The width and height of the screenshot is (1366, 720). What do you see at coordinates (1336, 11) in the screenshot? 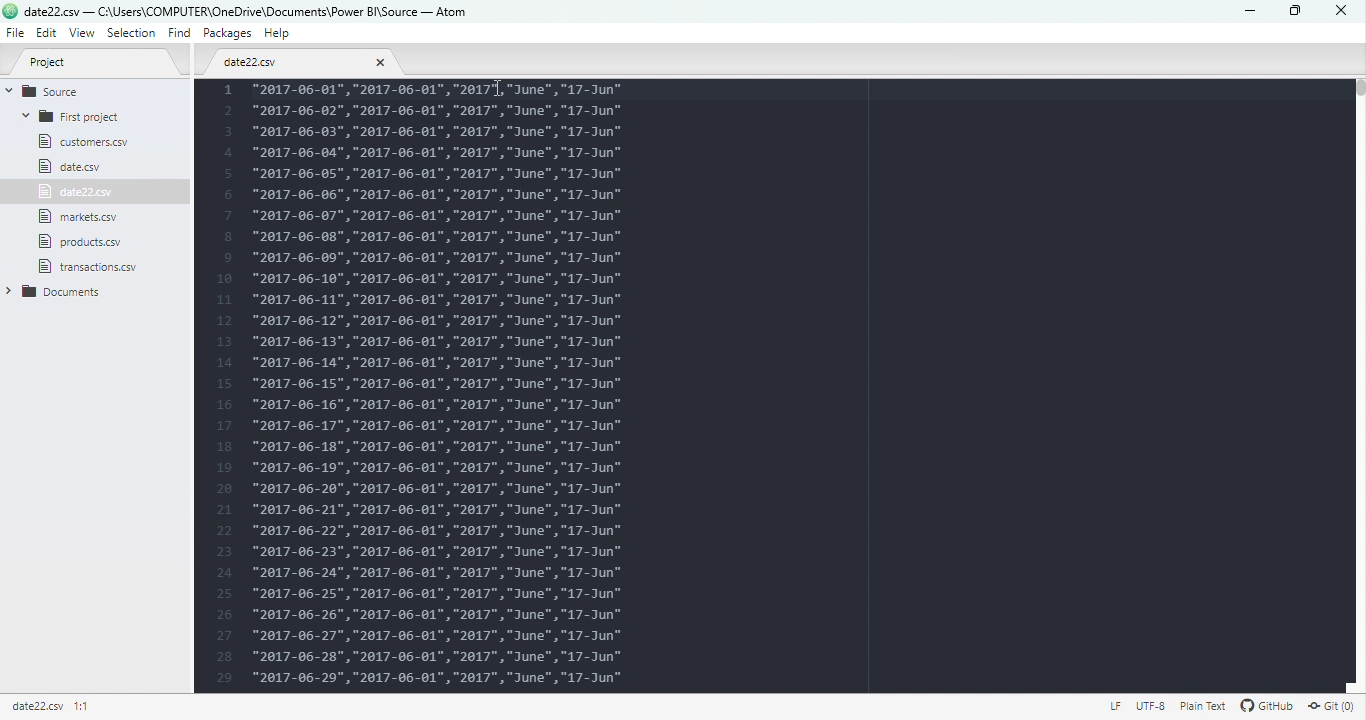
I see `Close` at bounding box center [1336, 11].